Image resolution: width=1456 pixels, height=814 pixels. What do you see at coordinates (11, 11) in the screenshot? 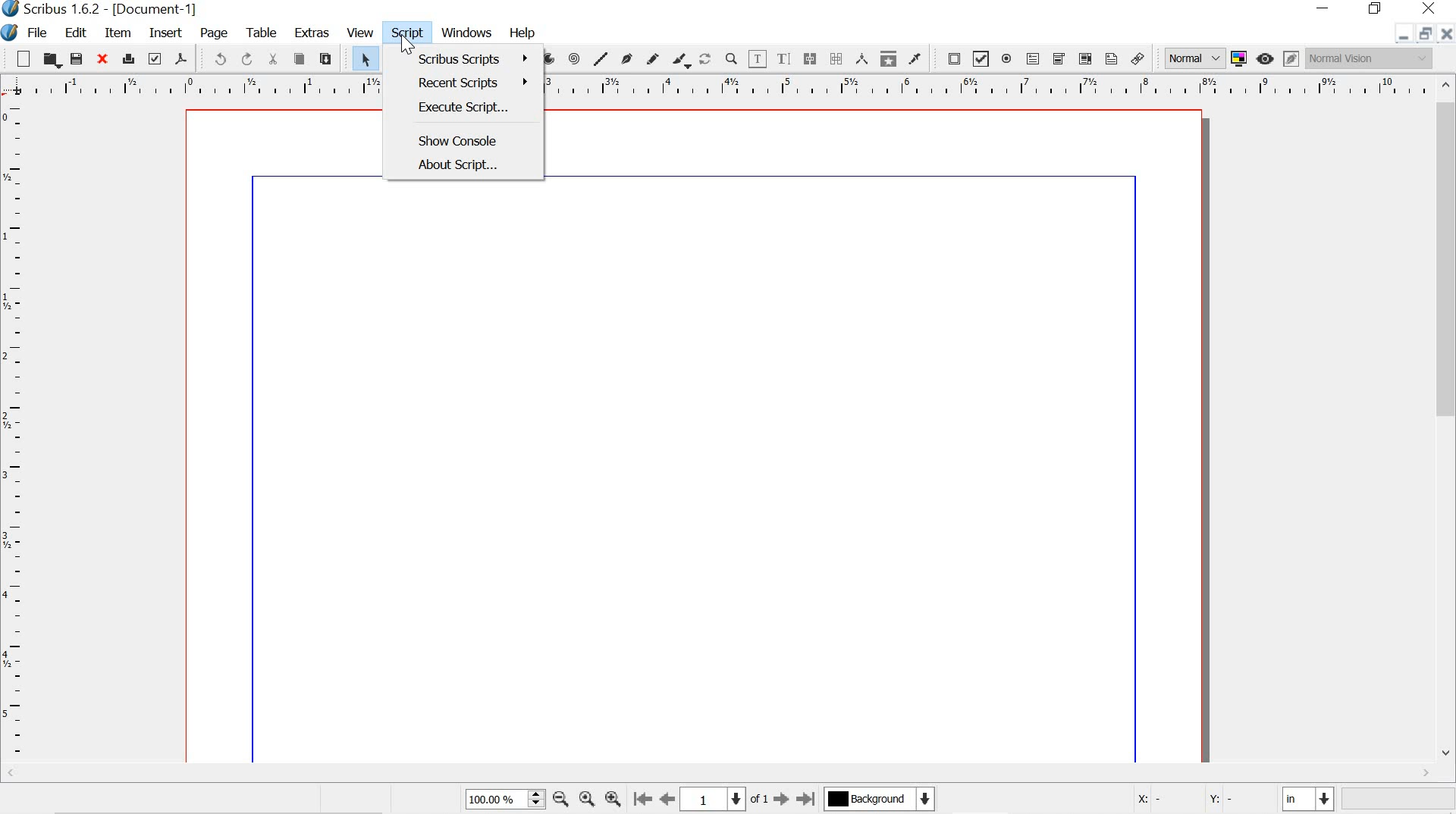
I see `scribus logo` at bounding box center [11, 11].